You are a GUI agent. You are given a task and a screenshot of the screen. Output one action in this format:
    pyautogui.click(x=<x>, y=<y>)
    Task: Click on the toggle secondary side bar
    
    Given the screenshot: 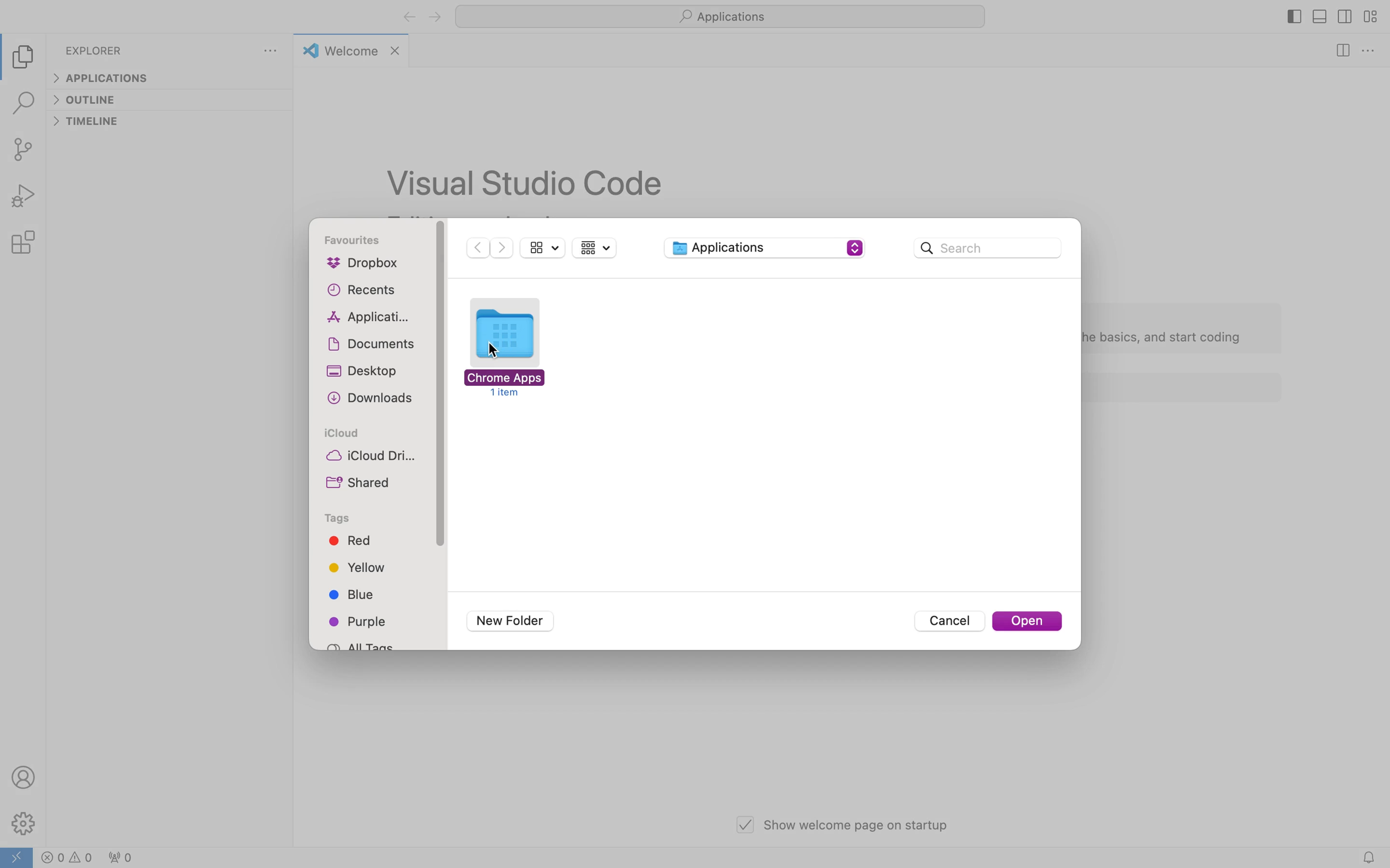 What is the action you would take?
    pyautogui.click(x=1343, y=20)
    